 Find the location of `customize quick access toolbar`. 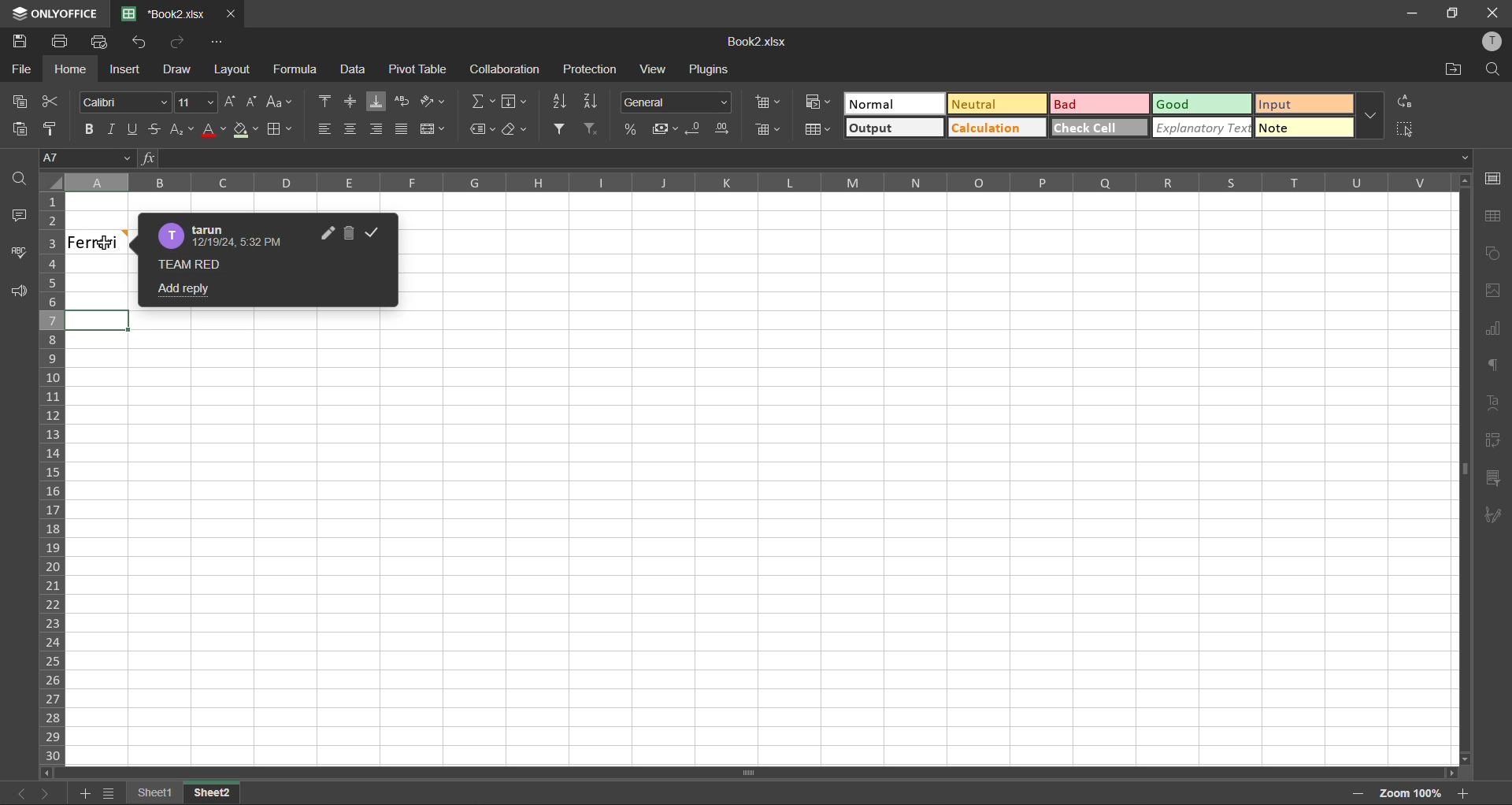

customize quick access toolbar is located at coordinates (218, 43).